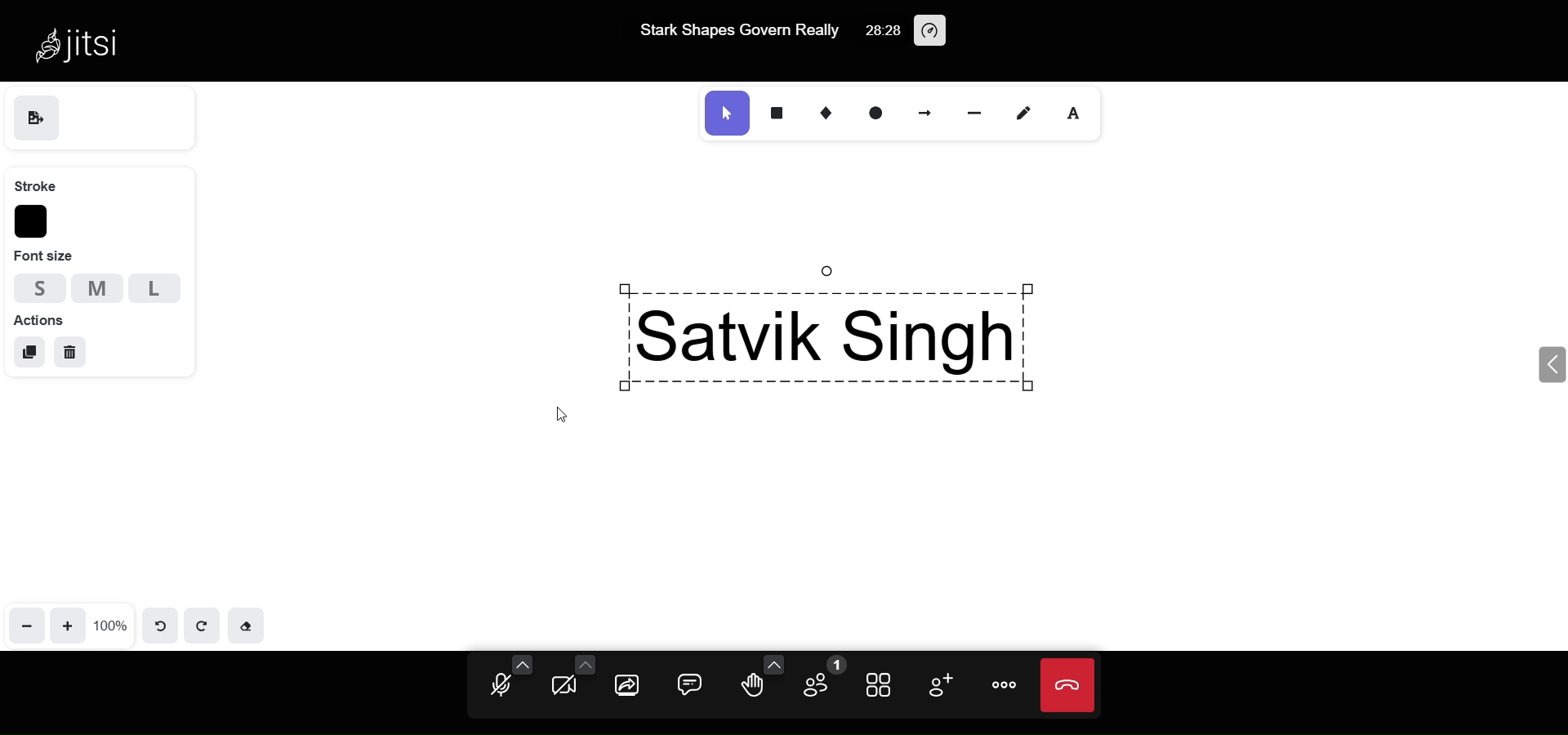 Image resolution: width=1568 pixels, height=735 pixels. Describe the element at coordinates (737, 31) in the screenshot. I see `Stark Shapes Govern Really` at that location.